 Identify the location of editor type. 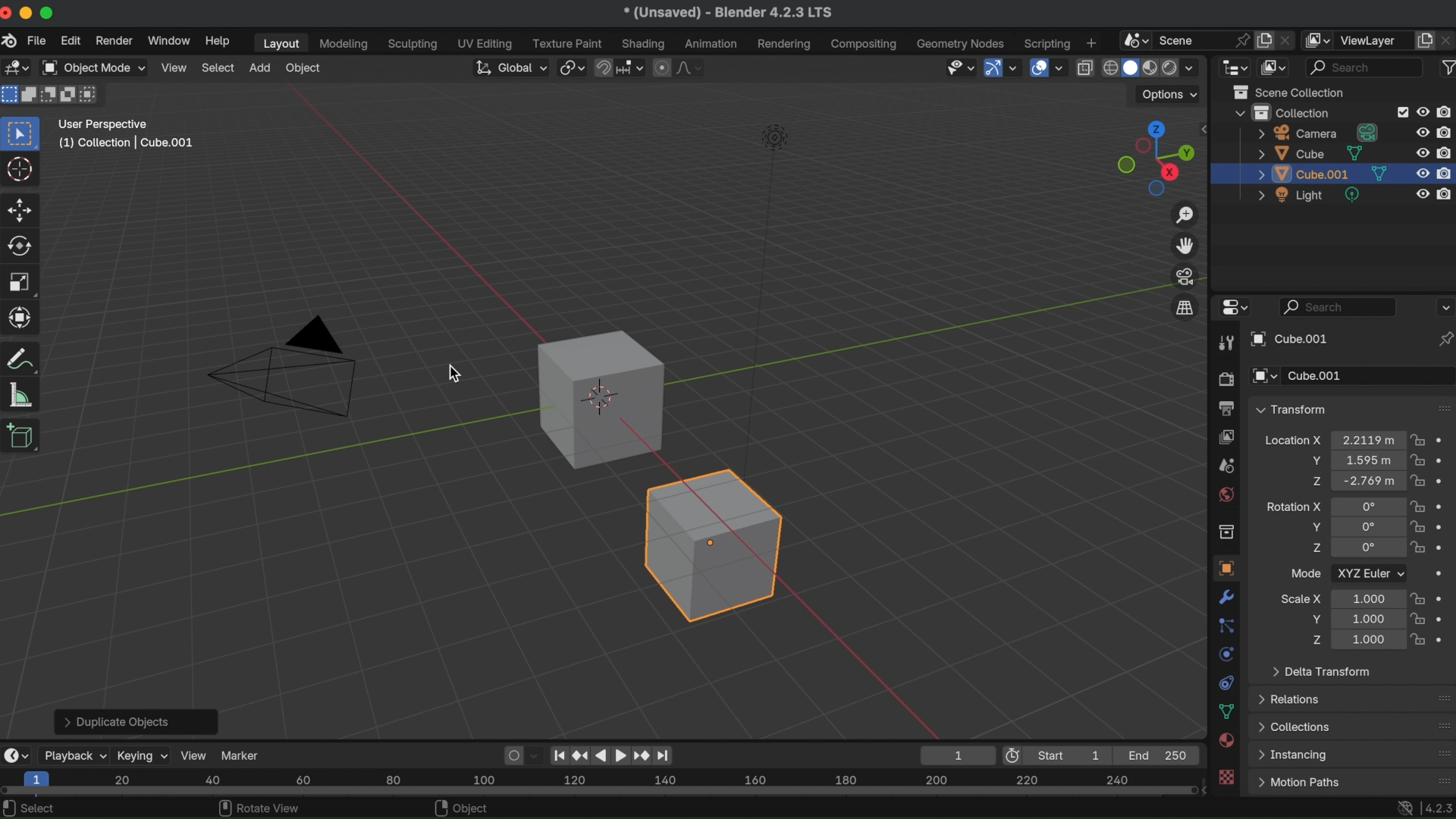
(1232, 308).